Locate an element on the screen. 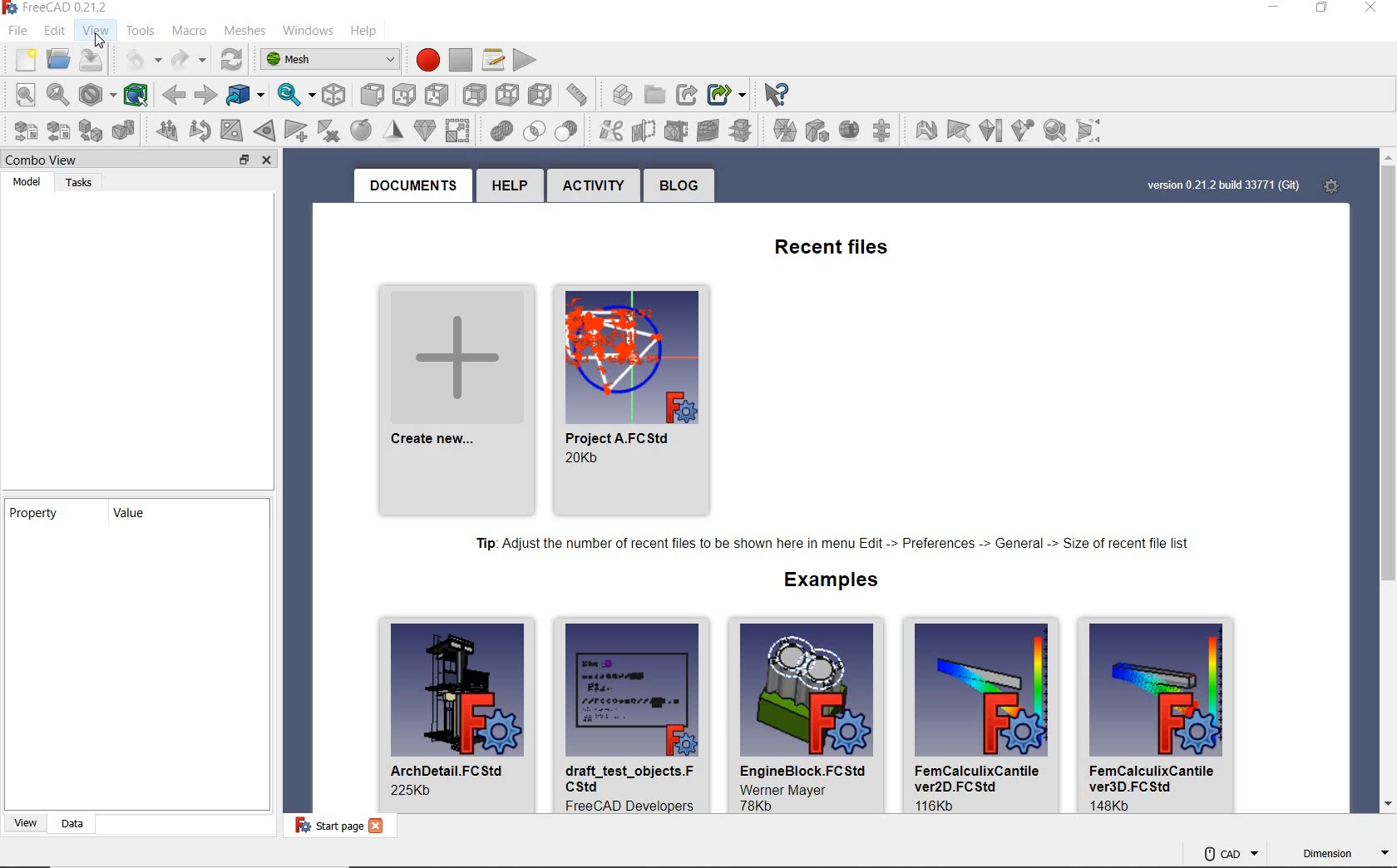  stop macro recording is located at coordinates (462, 55).